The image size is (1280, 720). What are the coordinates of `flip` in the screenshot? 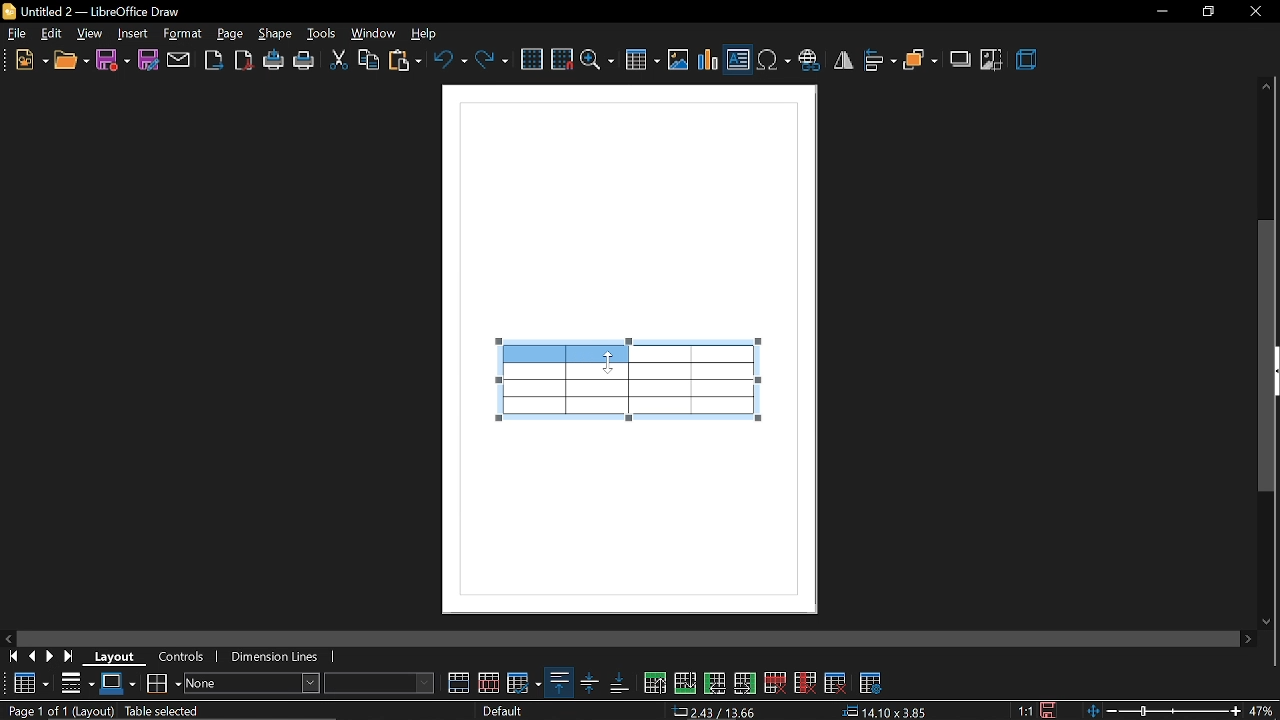 It's located at (842, 58).